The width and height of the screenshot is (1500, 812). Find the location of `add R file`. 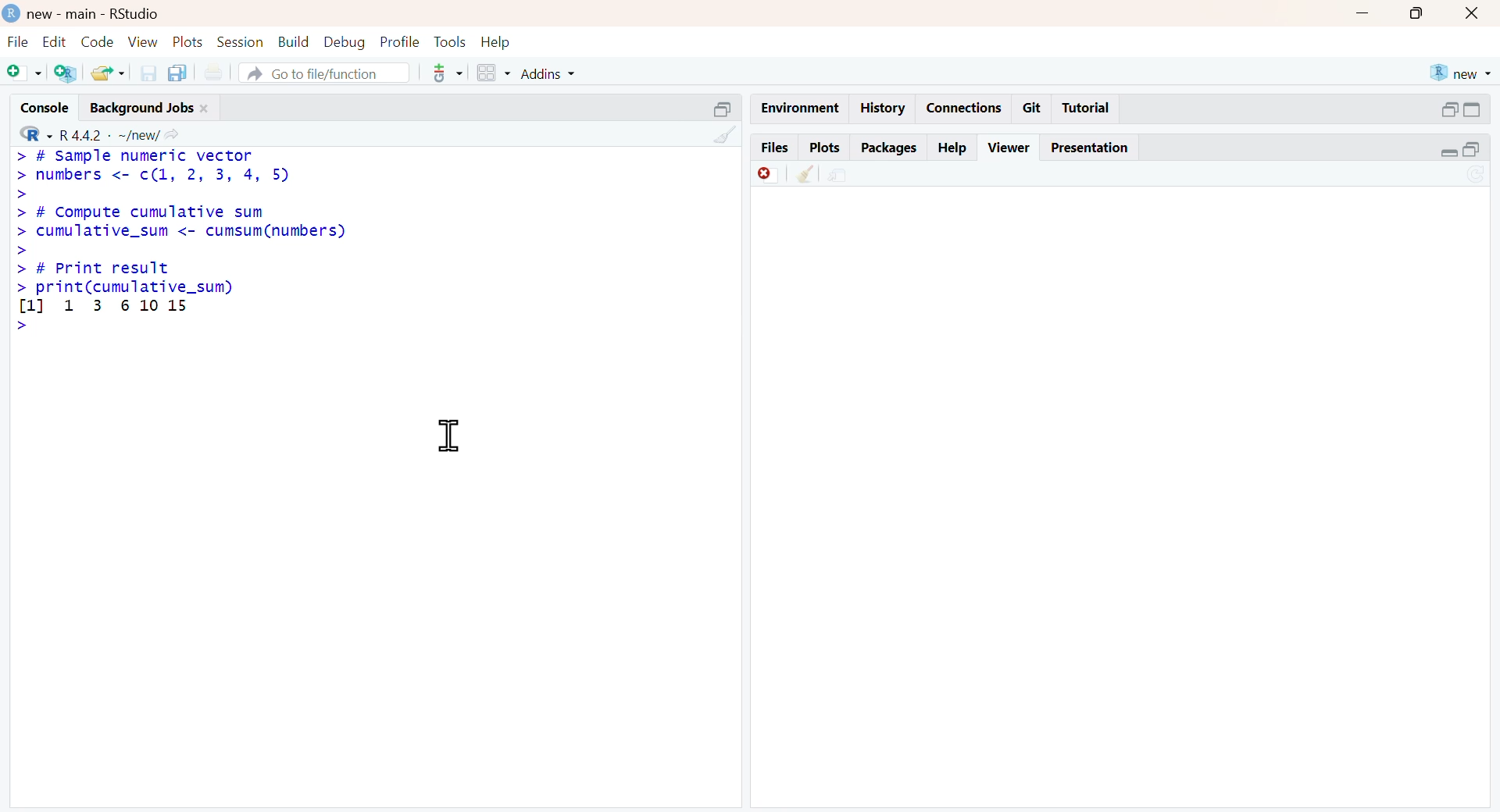

add R file is located at coordinates (66, 73).